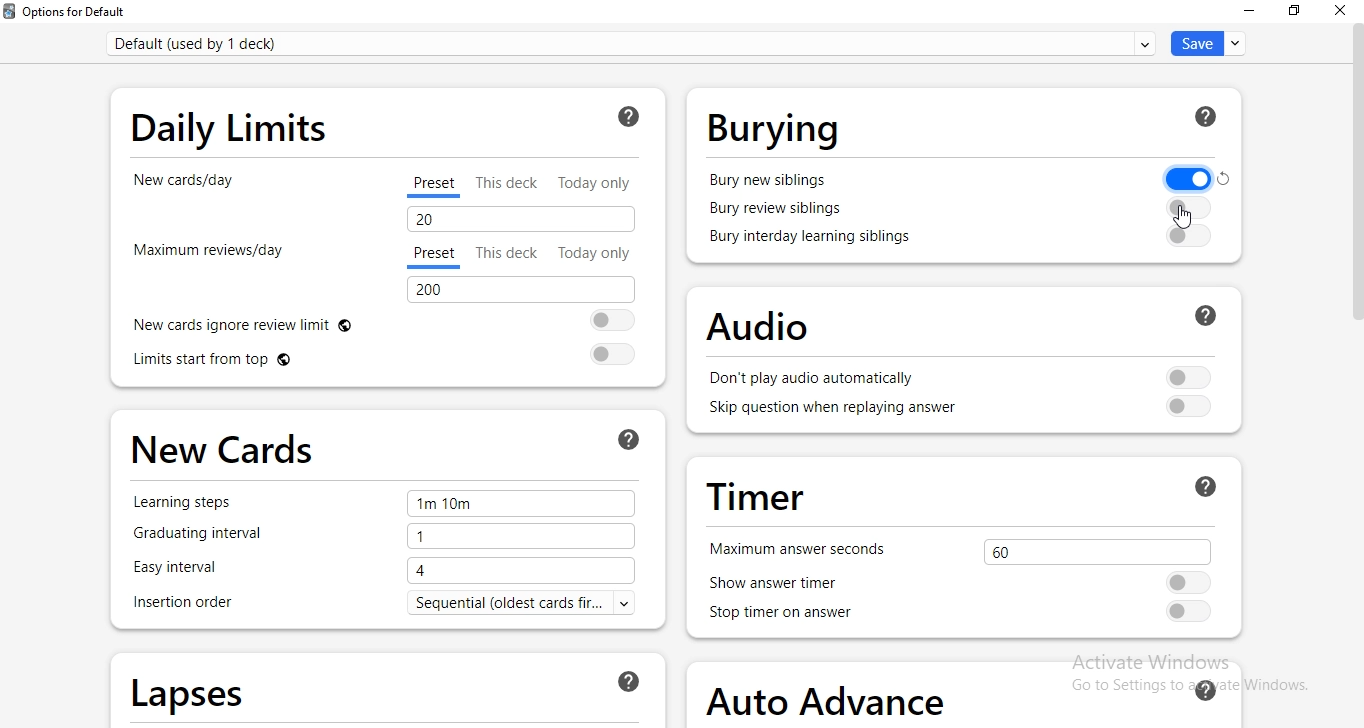 The image size is (1364, 728). What do you see at coordinates (635, 42) in the screenshot?
I see `default (used bu 1 deck)` at bounding box center [635, 42].